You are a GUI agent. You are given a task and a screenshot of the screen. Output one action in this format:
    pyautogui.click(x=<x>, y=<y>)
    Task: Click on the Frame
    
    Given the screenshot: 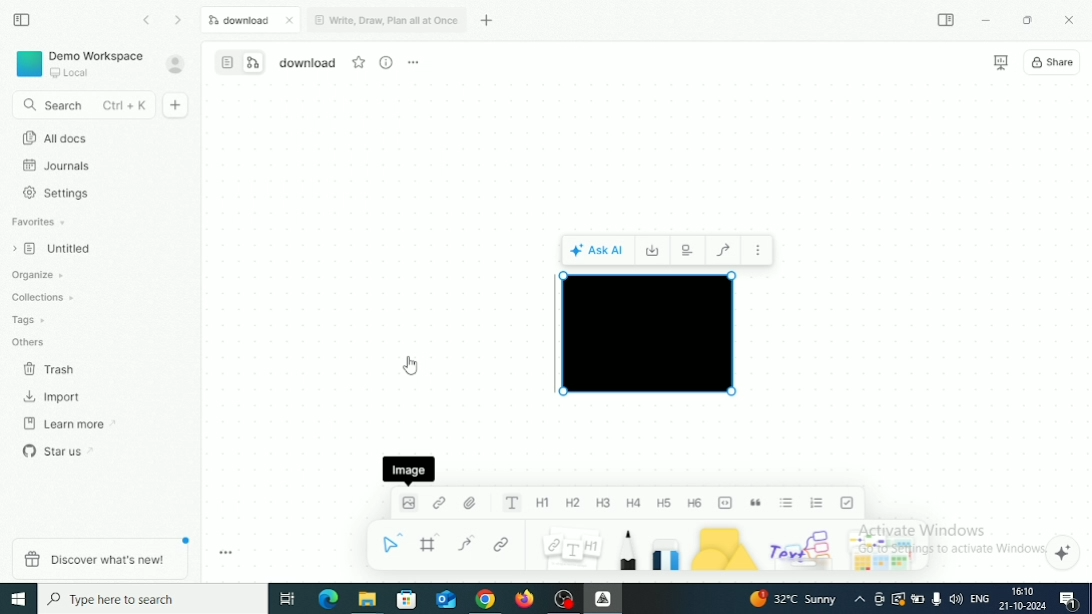 What is the action you would take?
    pyautogui.click(x=432, y=543)
    